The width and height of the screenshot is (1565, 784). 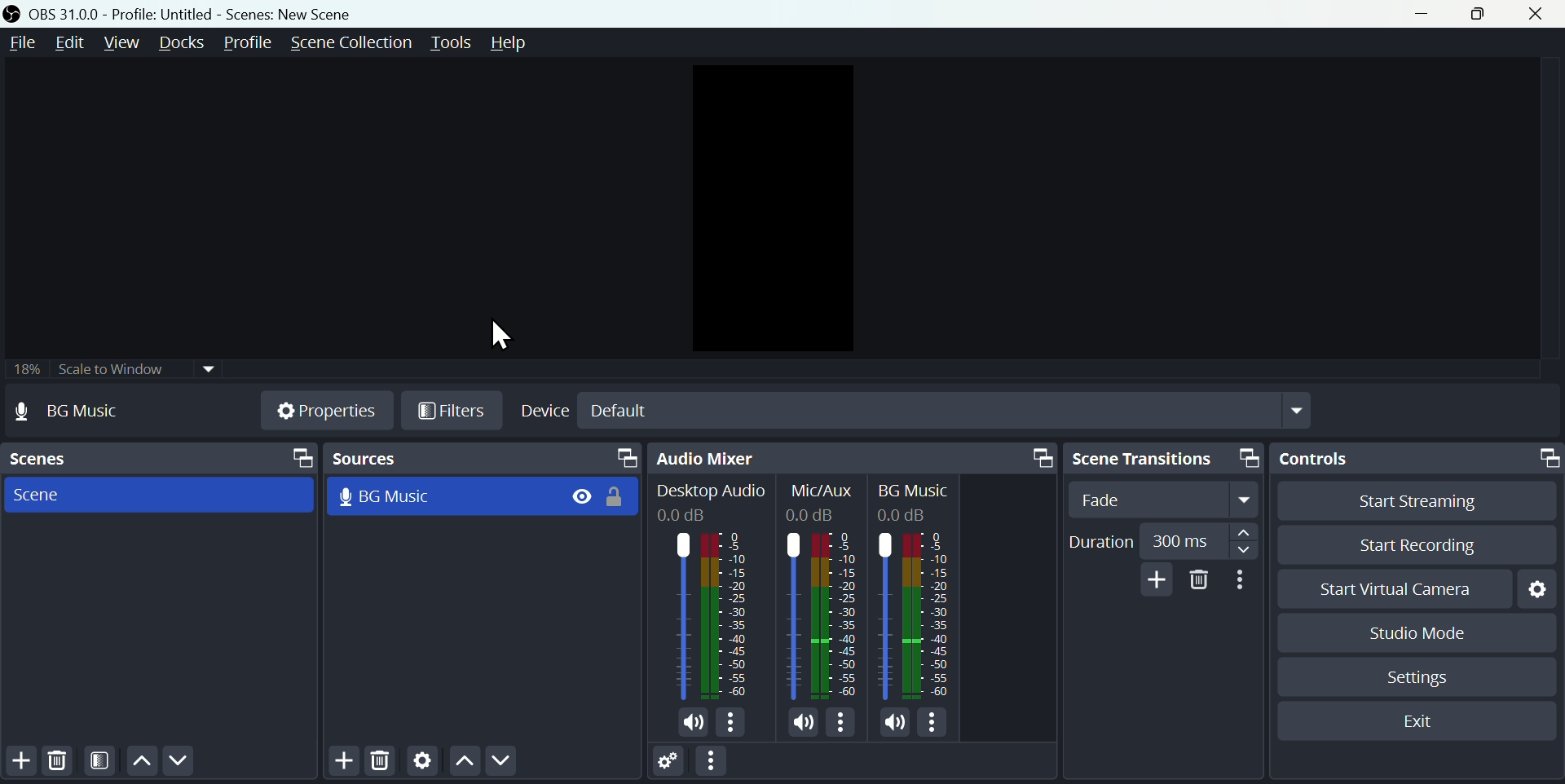 I want to click on Scene, so click(x=46, y=496).